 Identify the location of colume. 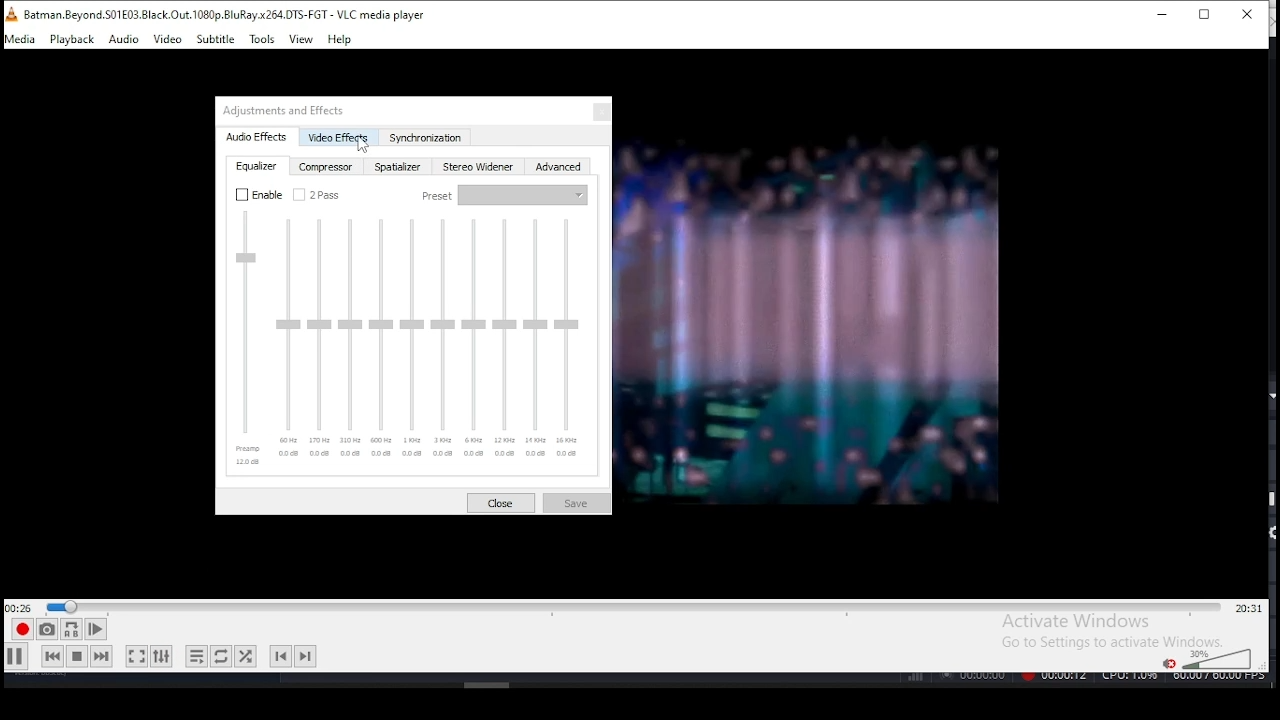
(1216, 658).